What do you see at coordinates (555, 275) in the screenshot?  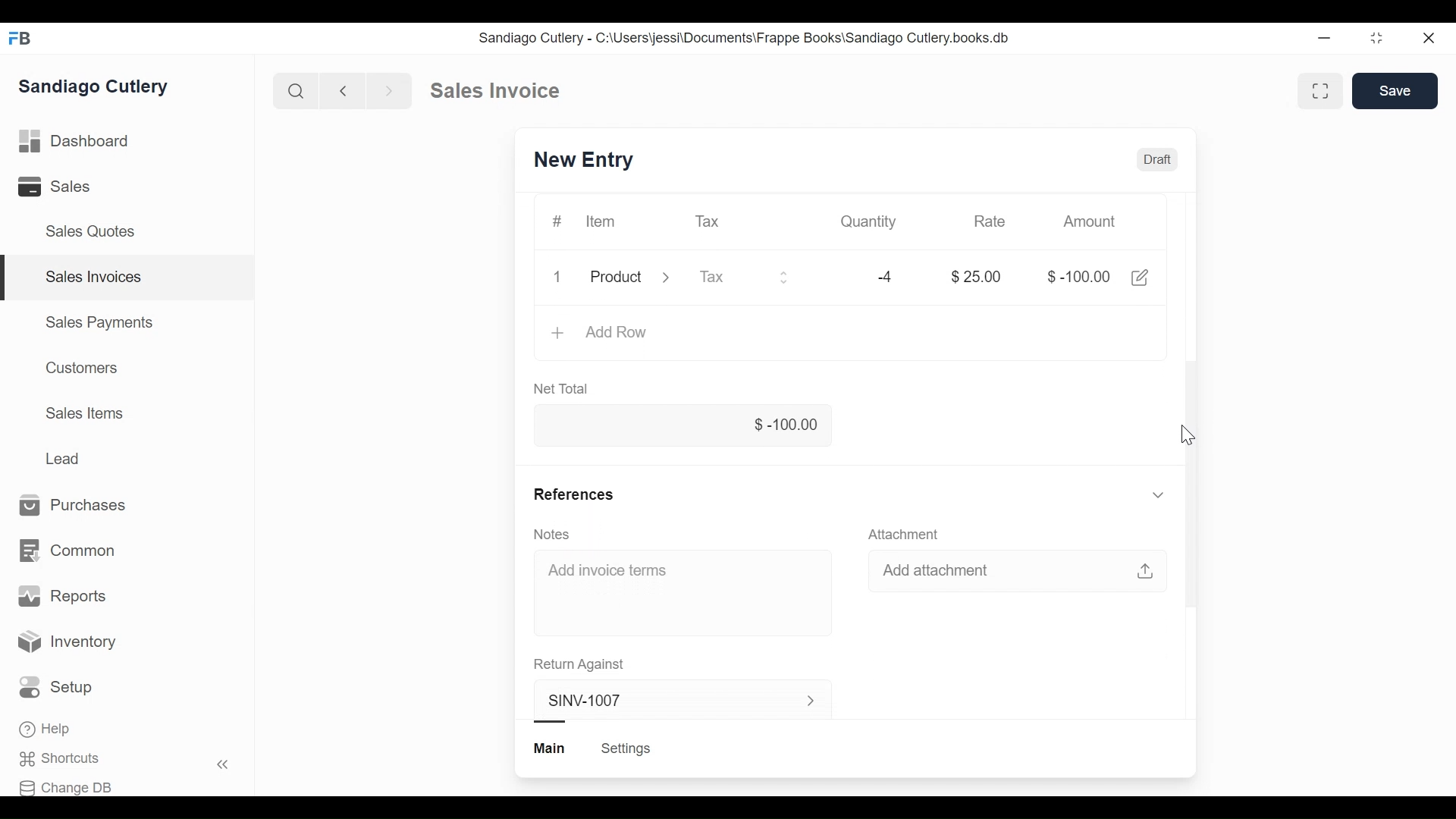 I see `1` at bounding box center [555, 275].